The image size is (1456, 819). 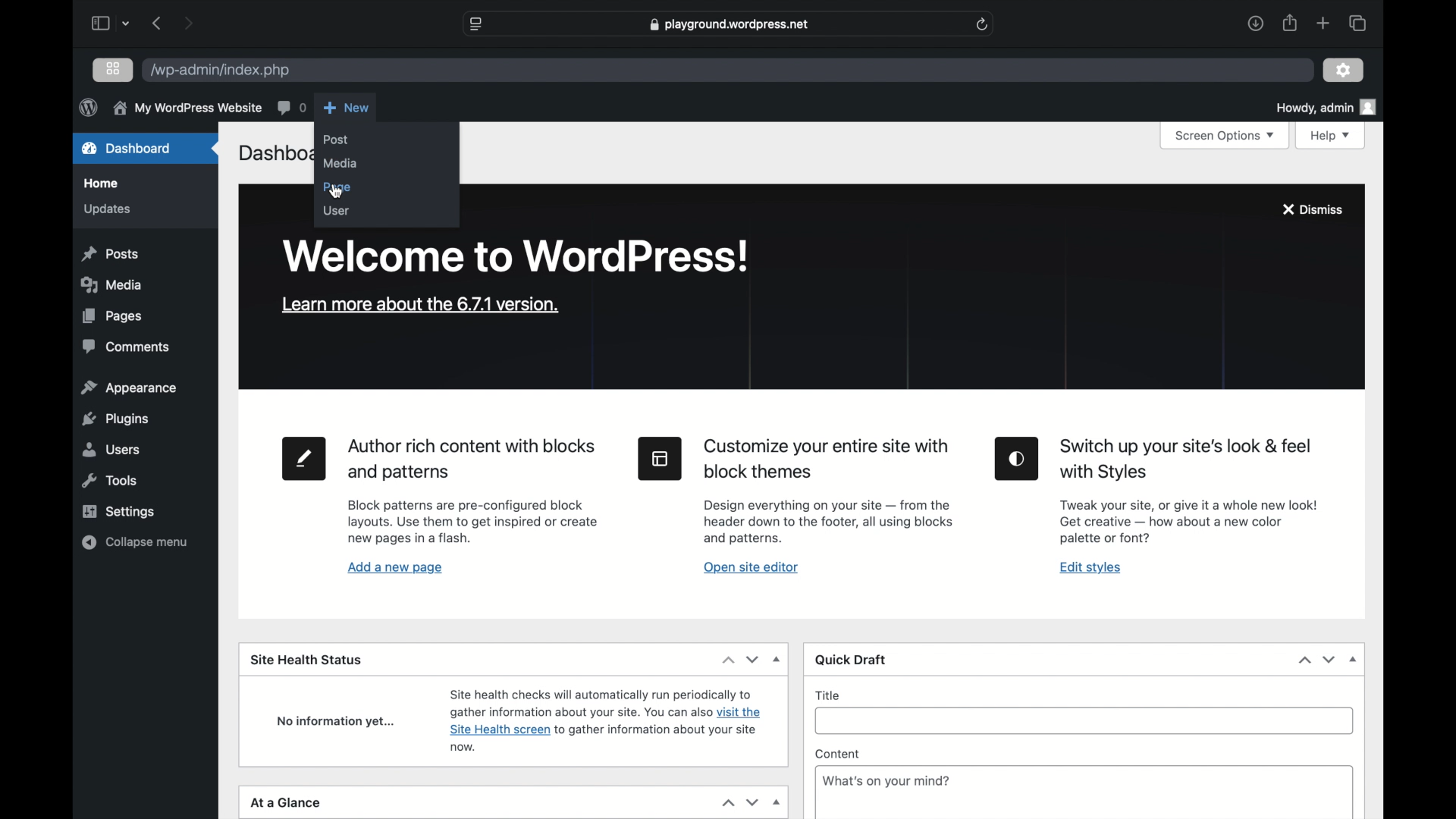 I want to click on stepper buttons, so click(x=740, y=803).